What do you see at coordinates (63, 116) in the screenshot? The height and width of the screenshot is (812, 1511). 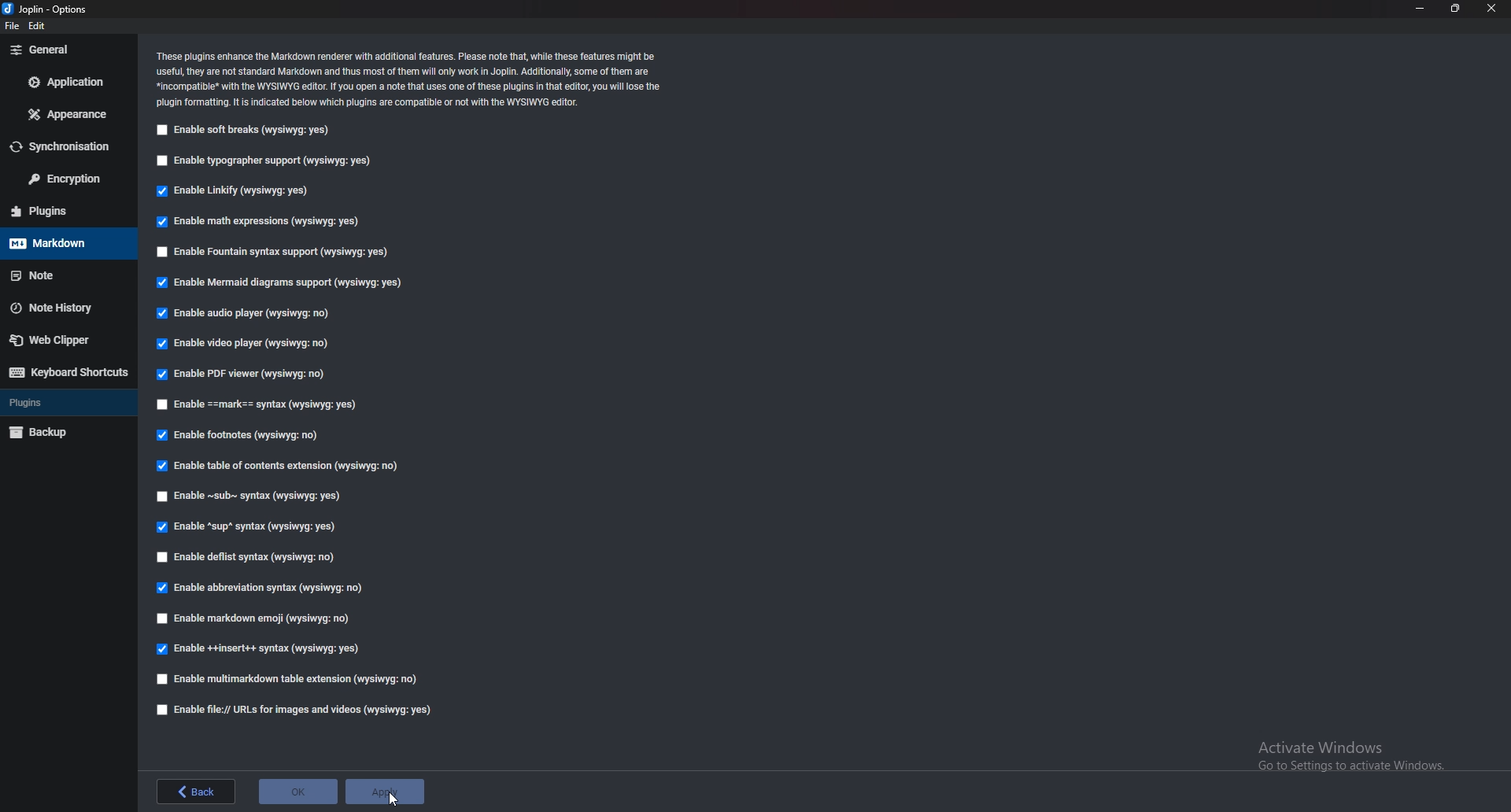 I see `Appearance` at bounding box center [63, 116].